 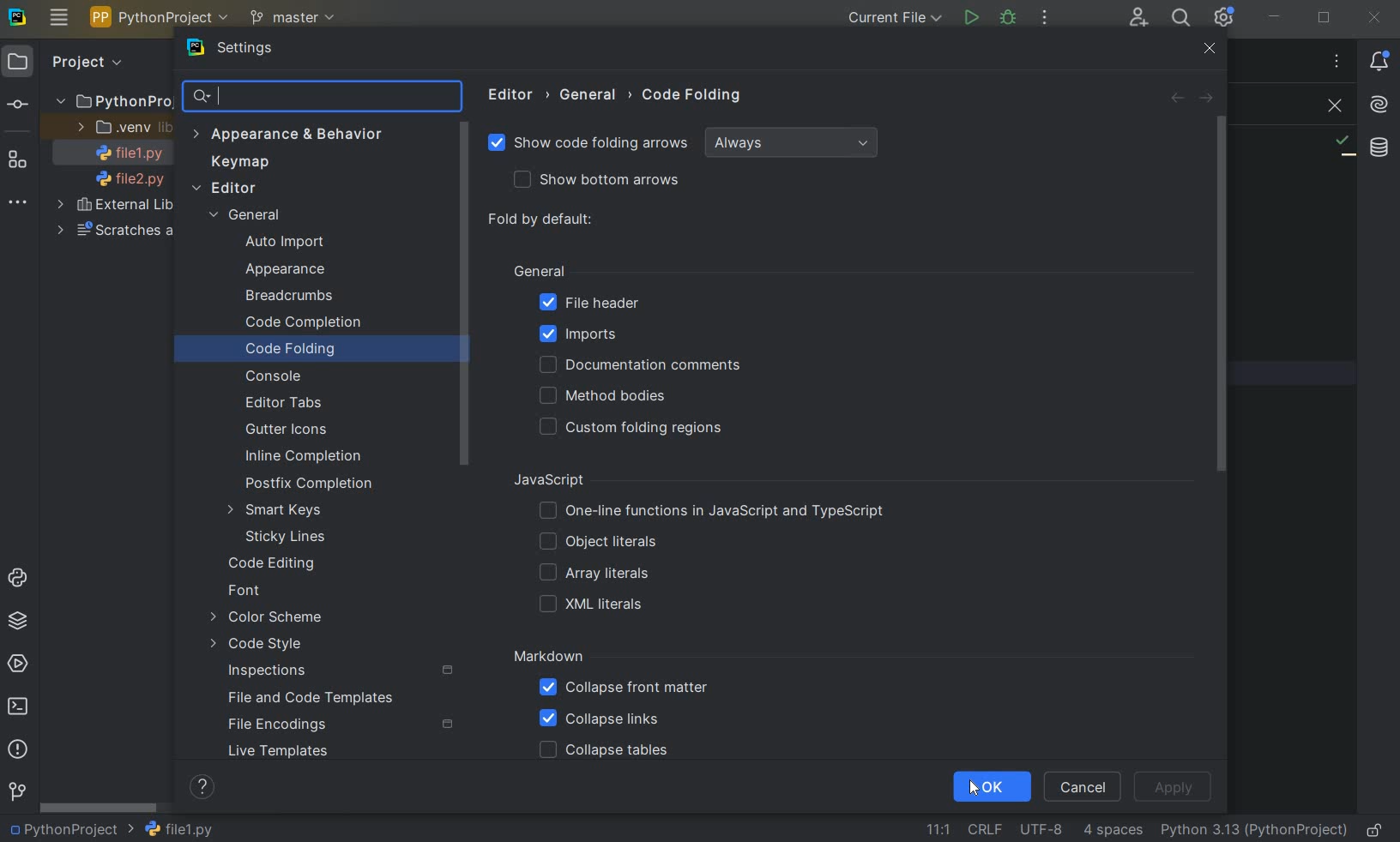 I want to click on STICKY LINES, so click(x=287, y=536).